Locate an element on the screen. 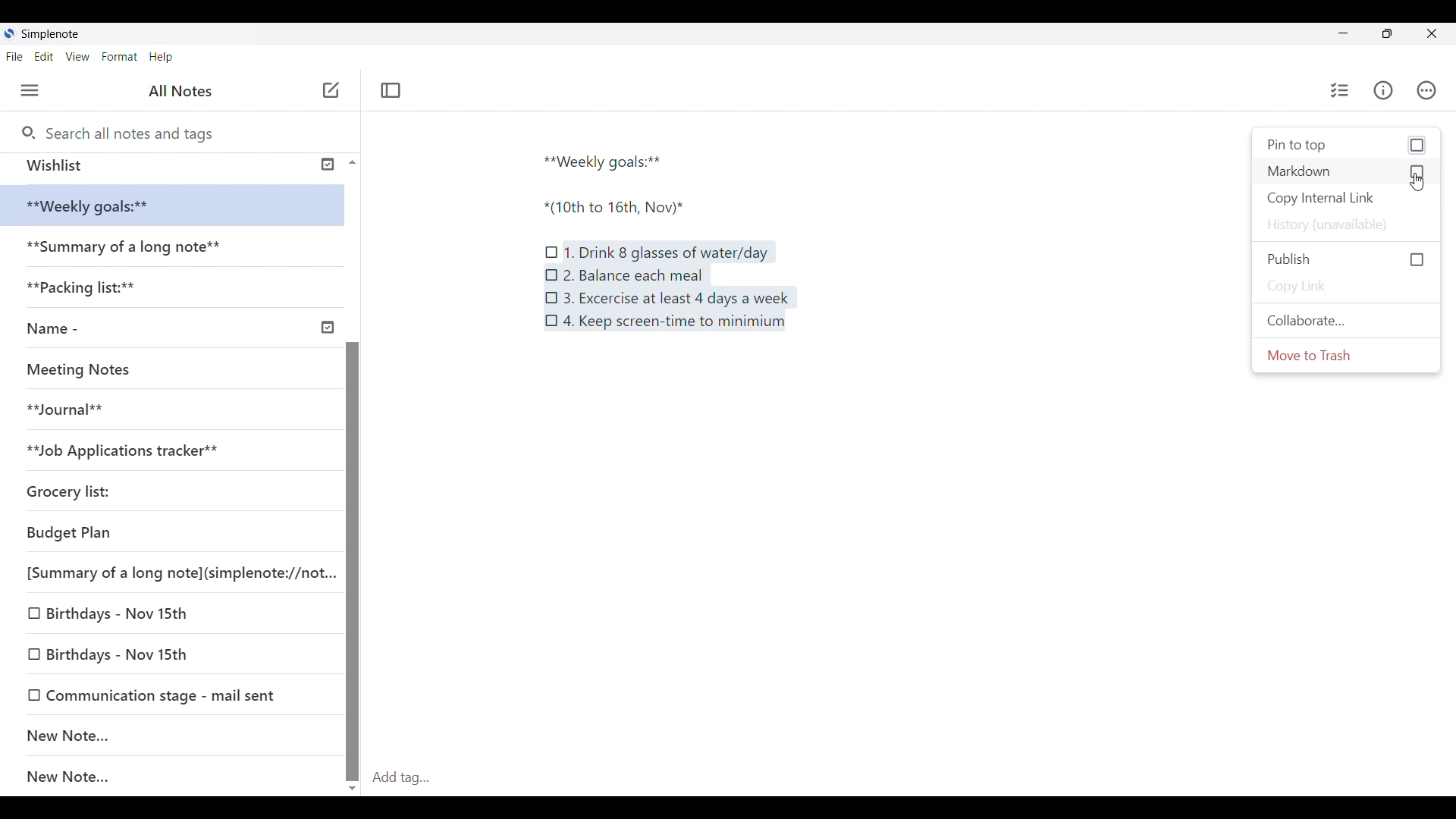 This screenshot has width=1456, height=819. pin to top is located at coordinates (1347, 143).